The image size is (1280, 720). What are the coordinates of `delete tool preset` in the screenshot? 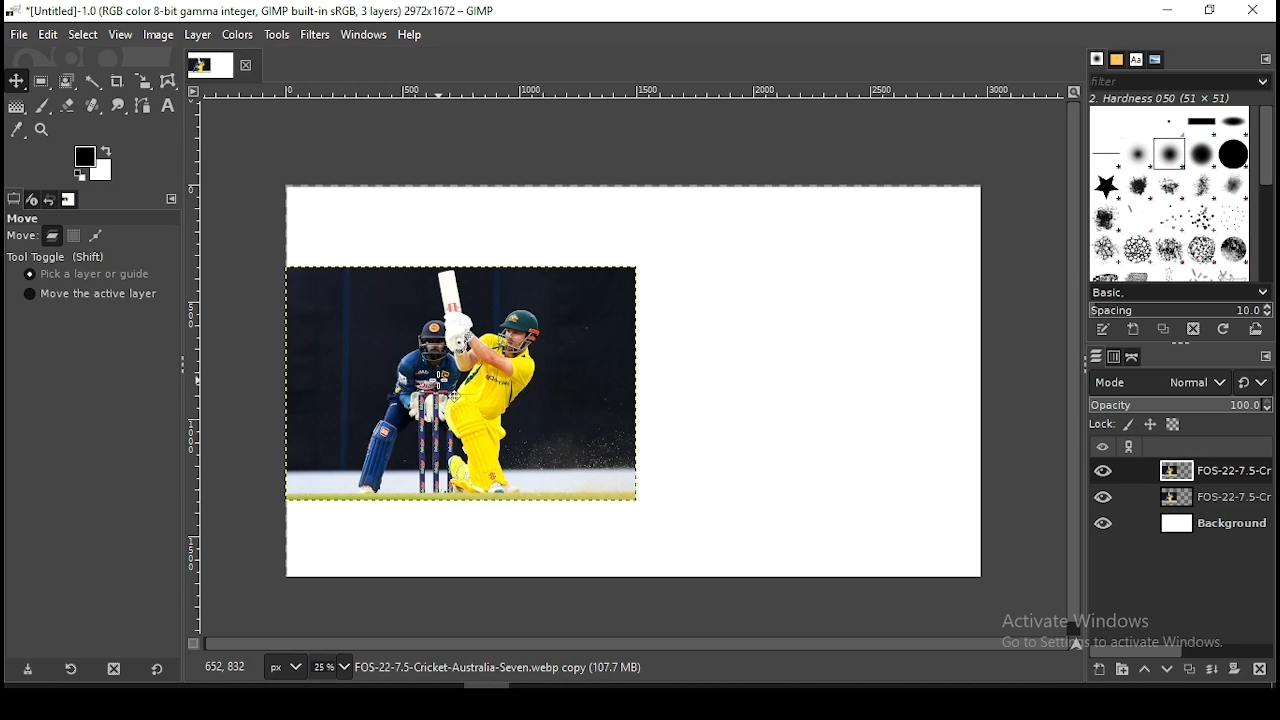 It's located at (116, 668).